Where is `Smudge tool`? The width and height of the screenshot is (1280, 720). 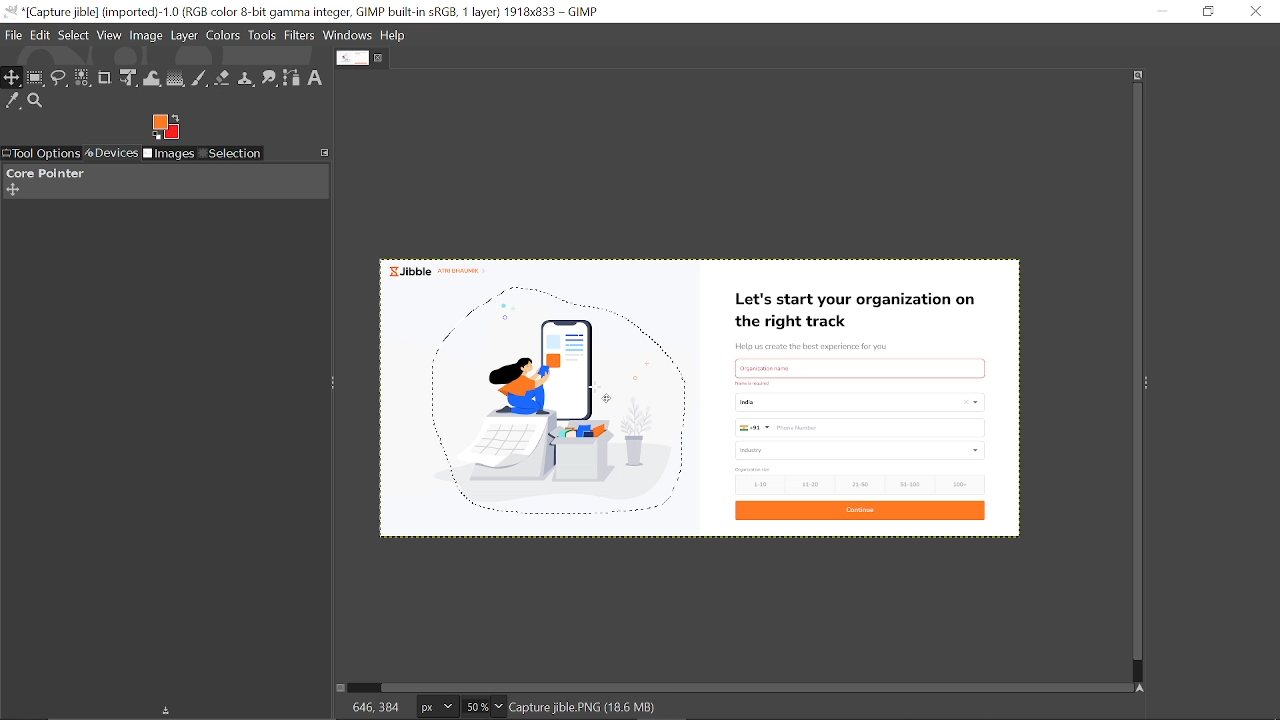
Smudge tool is located at coordinates (271, 79).